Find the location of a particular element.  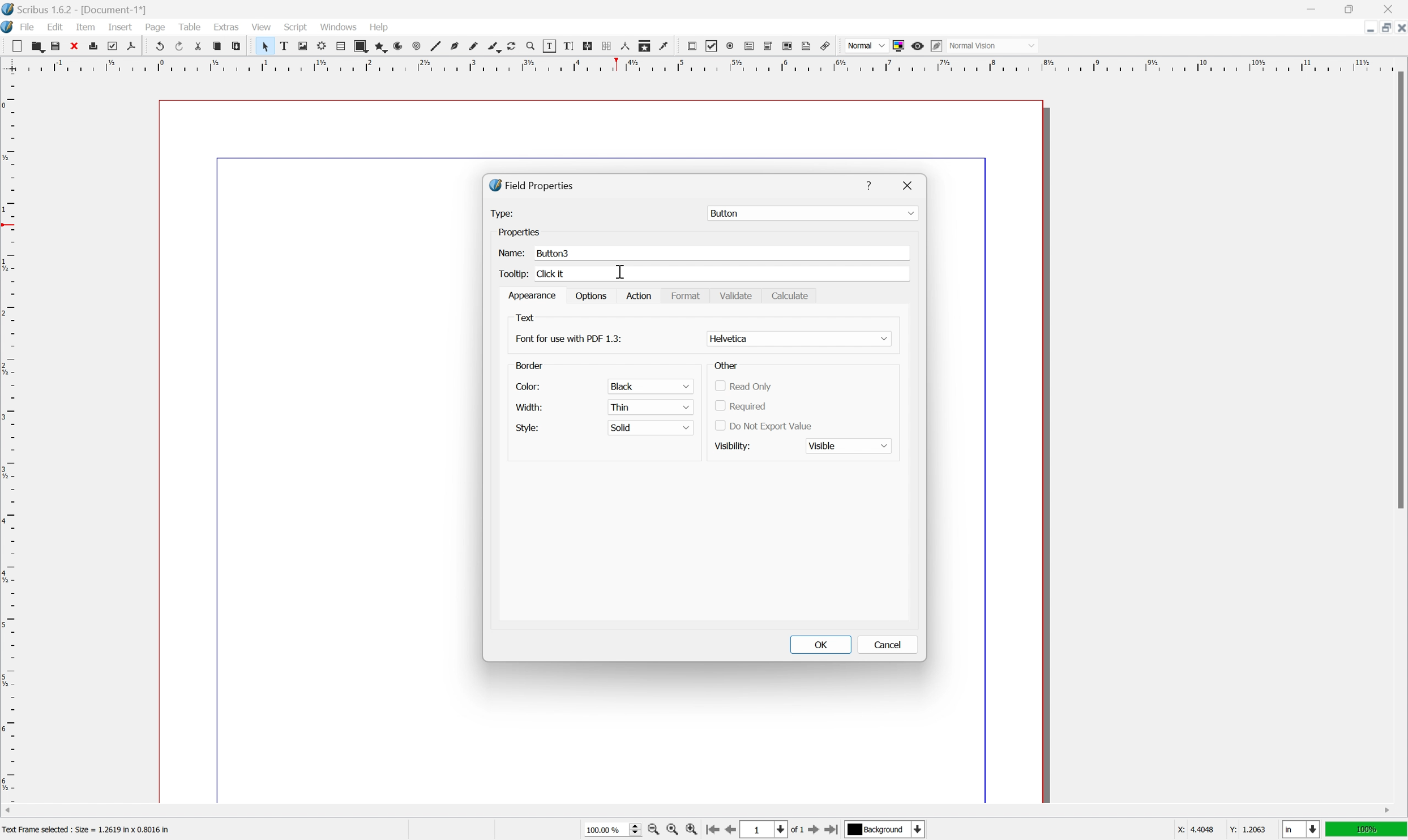

go to next page is located at coordinates (812, 830).